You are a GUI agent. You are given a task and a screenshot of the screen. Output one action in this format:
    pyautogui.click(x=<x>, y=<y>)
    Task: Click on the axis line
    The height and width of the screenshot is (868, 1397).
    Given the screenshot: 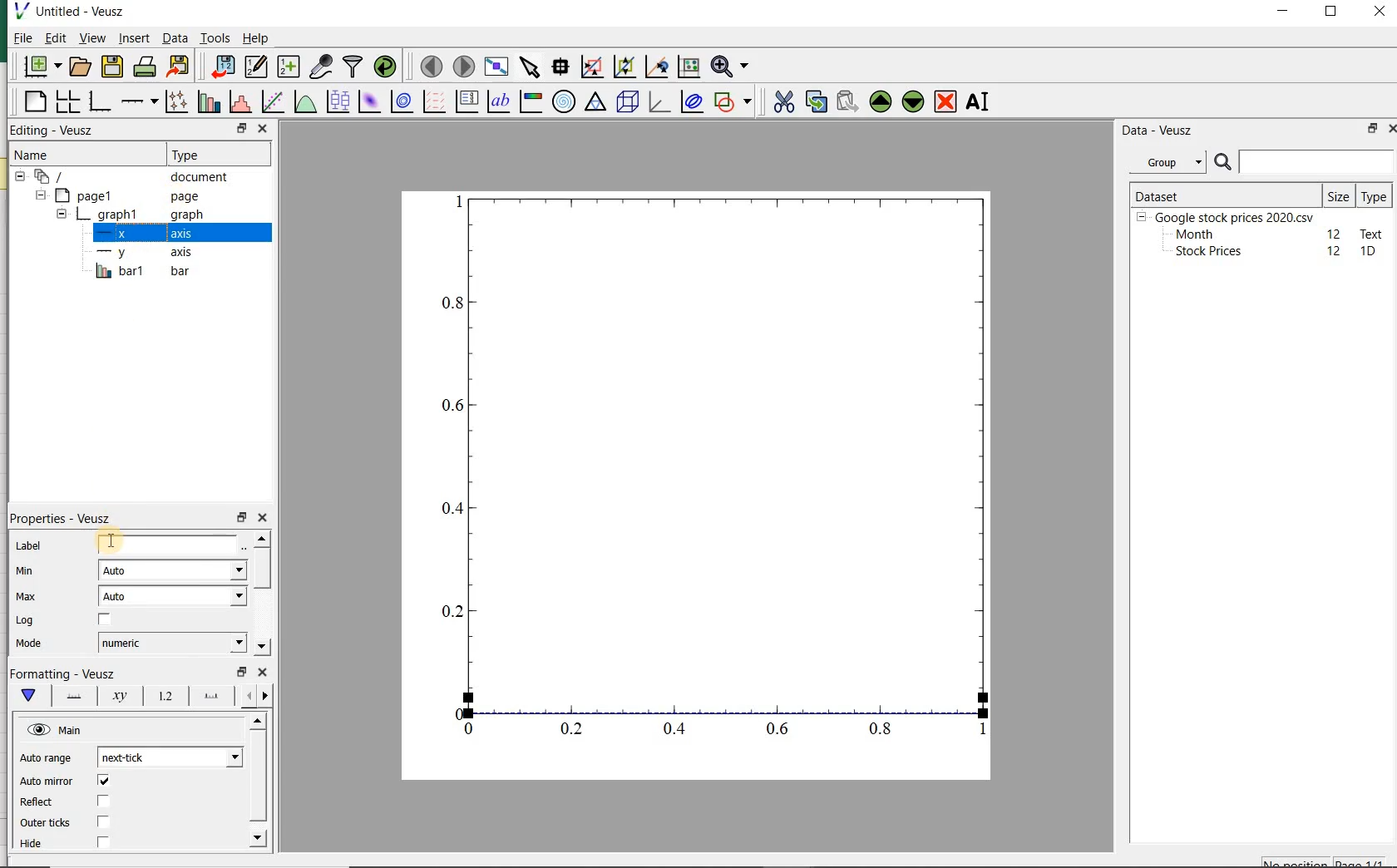 What is the action you would take?
    pyautogui.click(x=70, y=695)
    